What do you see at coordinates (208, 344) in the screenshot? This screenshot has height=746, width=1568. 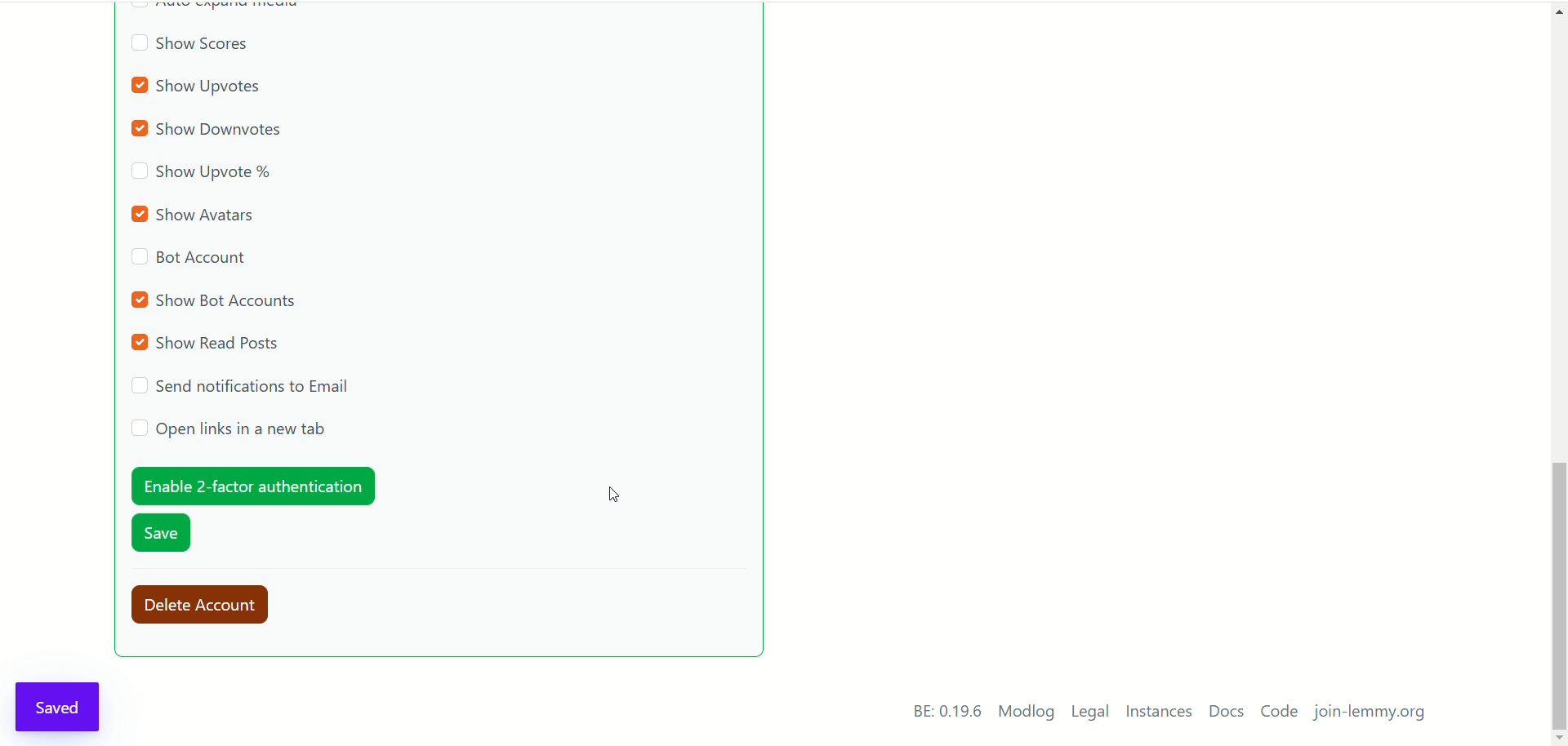 I see `selected show read posts` at bounding box center [208, 344].